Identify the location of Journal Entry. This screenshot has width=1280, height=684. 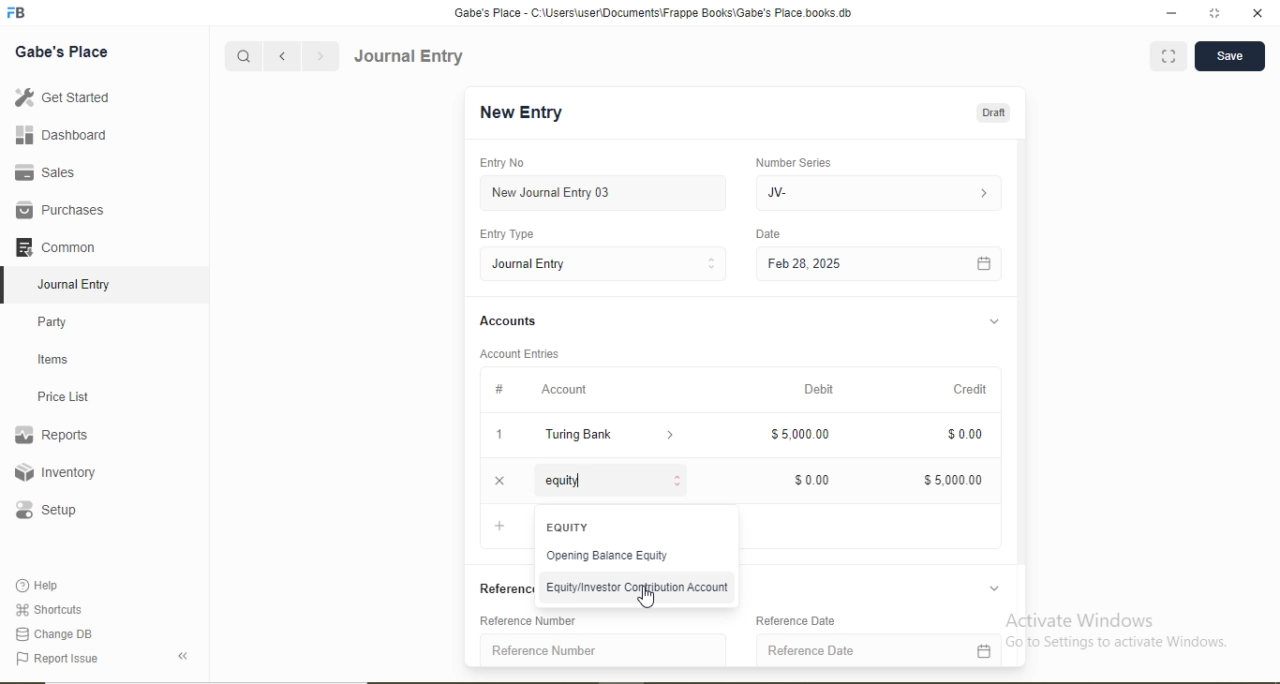
(76, 285).